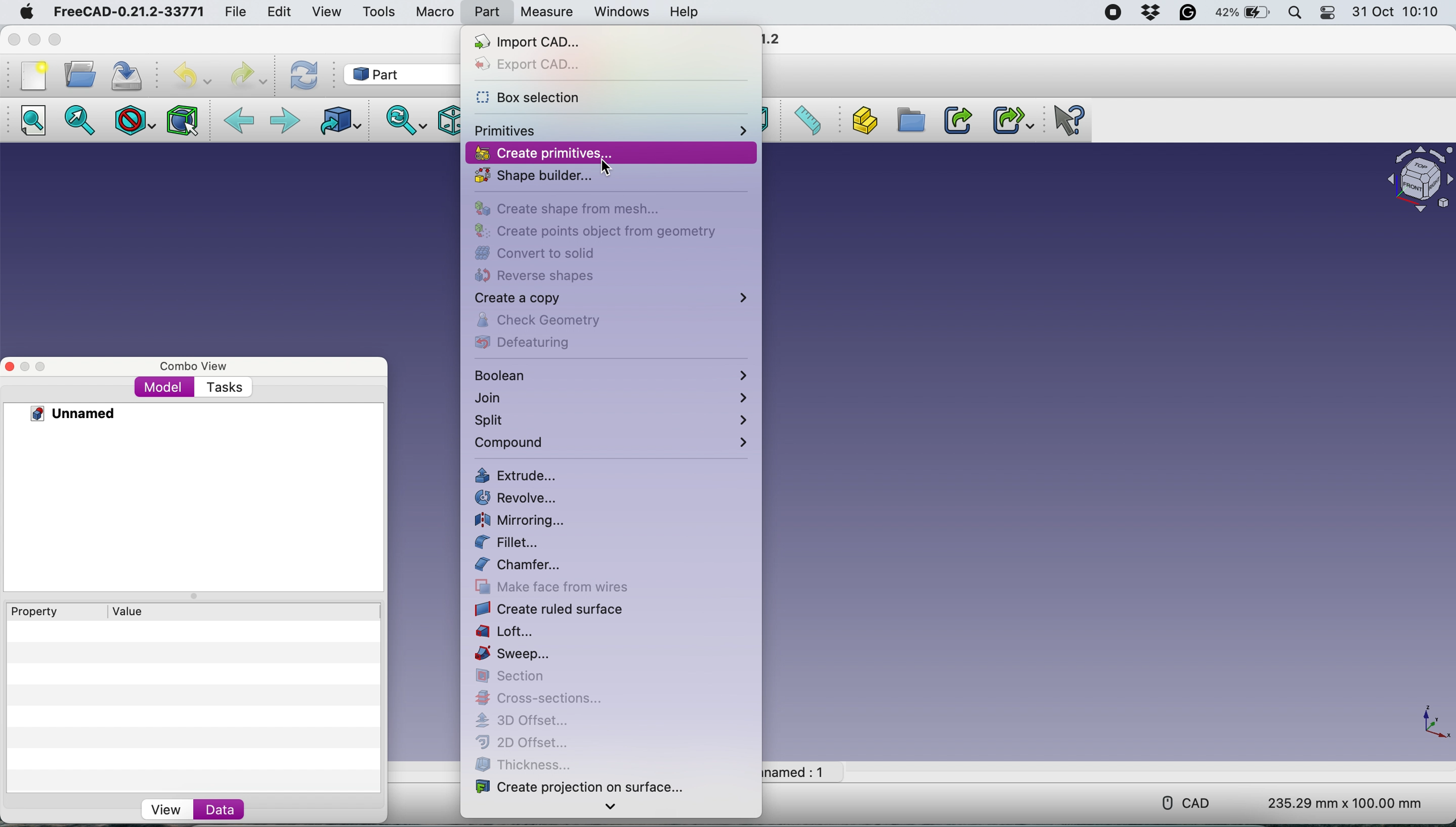 This screenshot has height=827, width=1456. Describe the element at coordinates (531, 720) in the screenshot. I see `3d offset` at that location.